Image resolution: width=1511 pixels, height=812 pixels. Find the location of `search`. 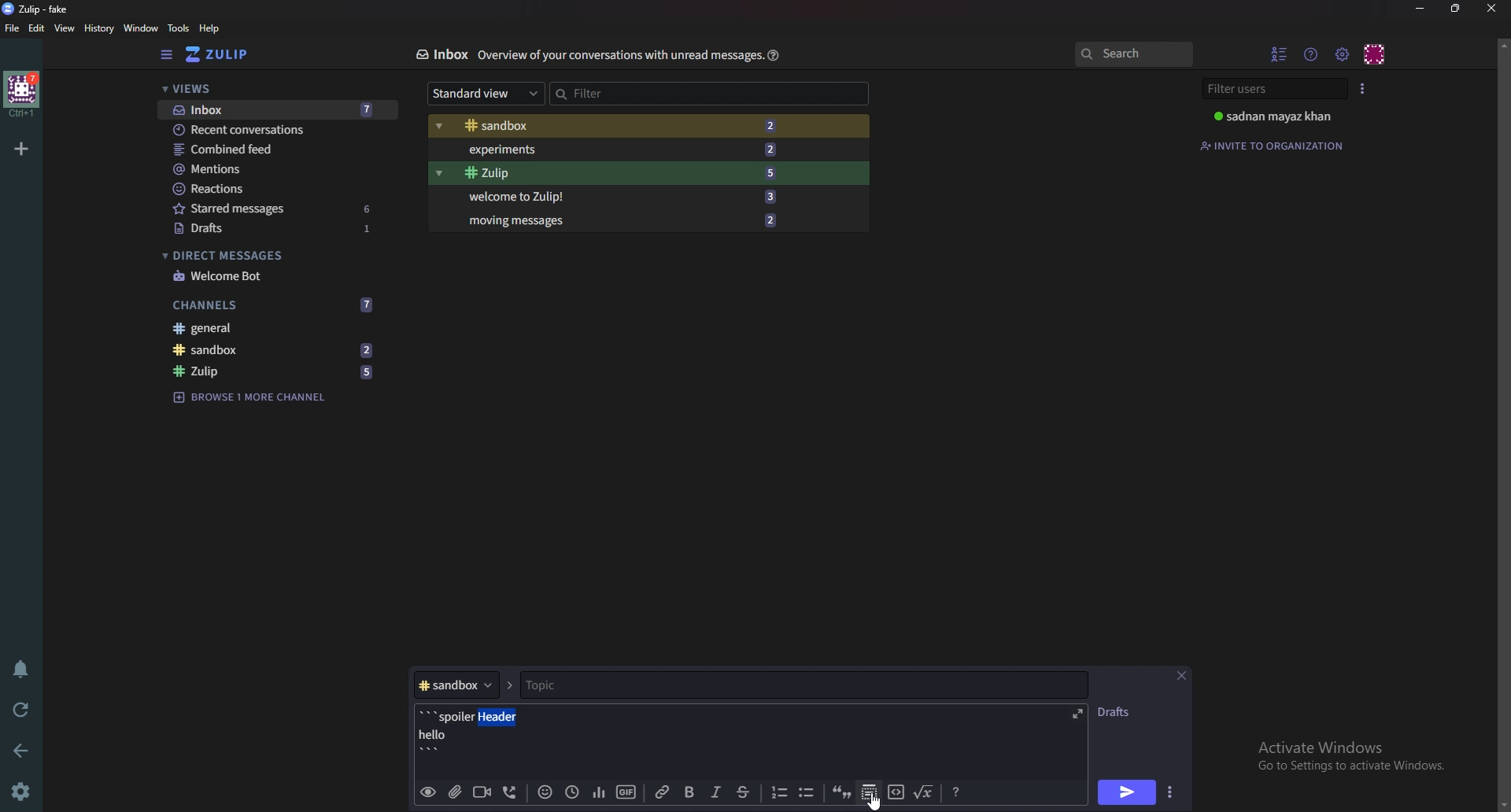

search is located at coordinates (1137, 54).